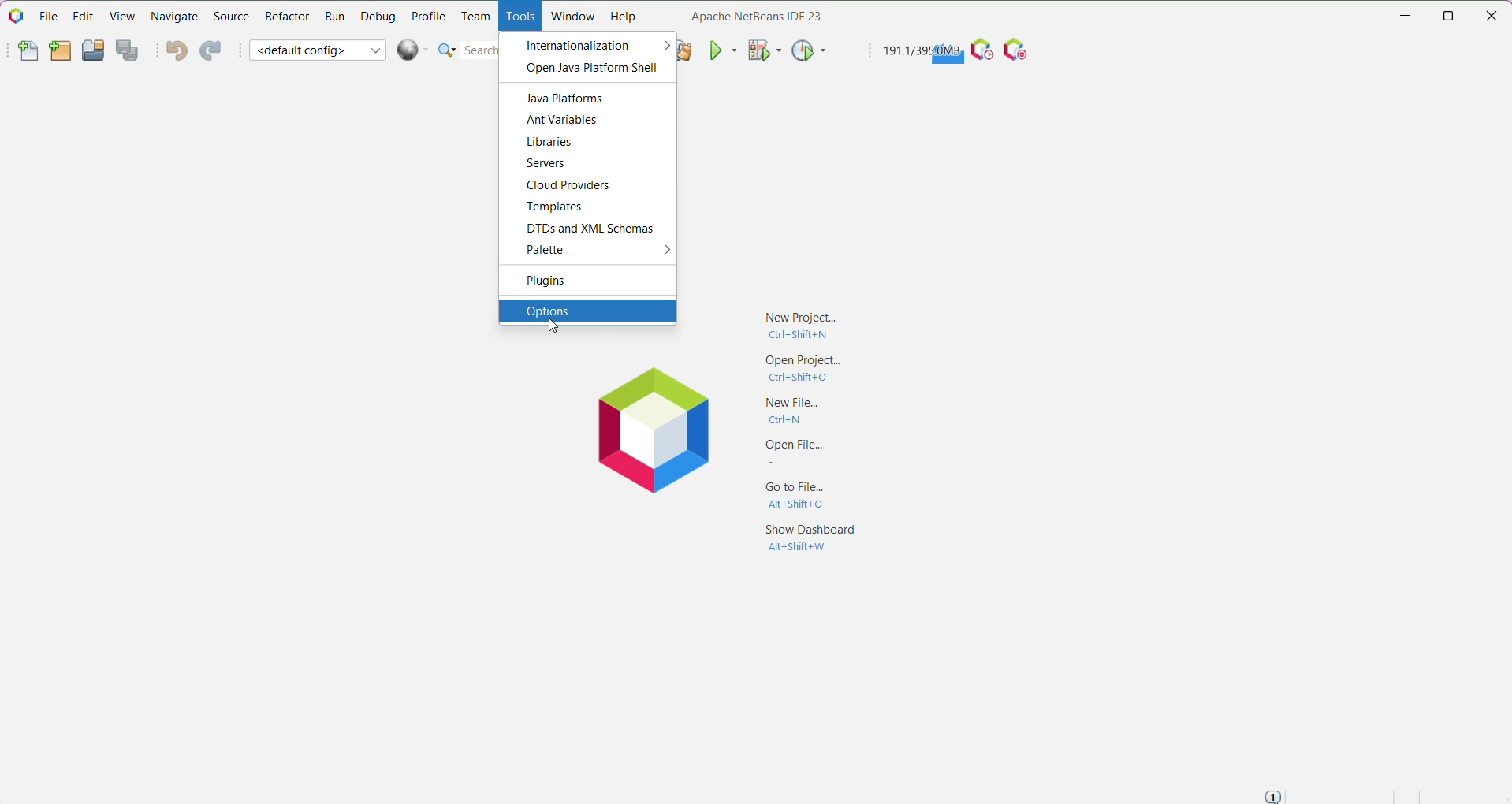 The height and width of the screenshot is (804, 1512). Describe the element at coordinates (413, 50) in the screenshot. I see `Run All` at that location.